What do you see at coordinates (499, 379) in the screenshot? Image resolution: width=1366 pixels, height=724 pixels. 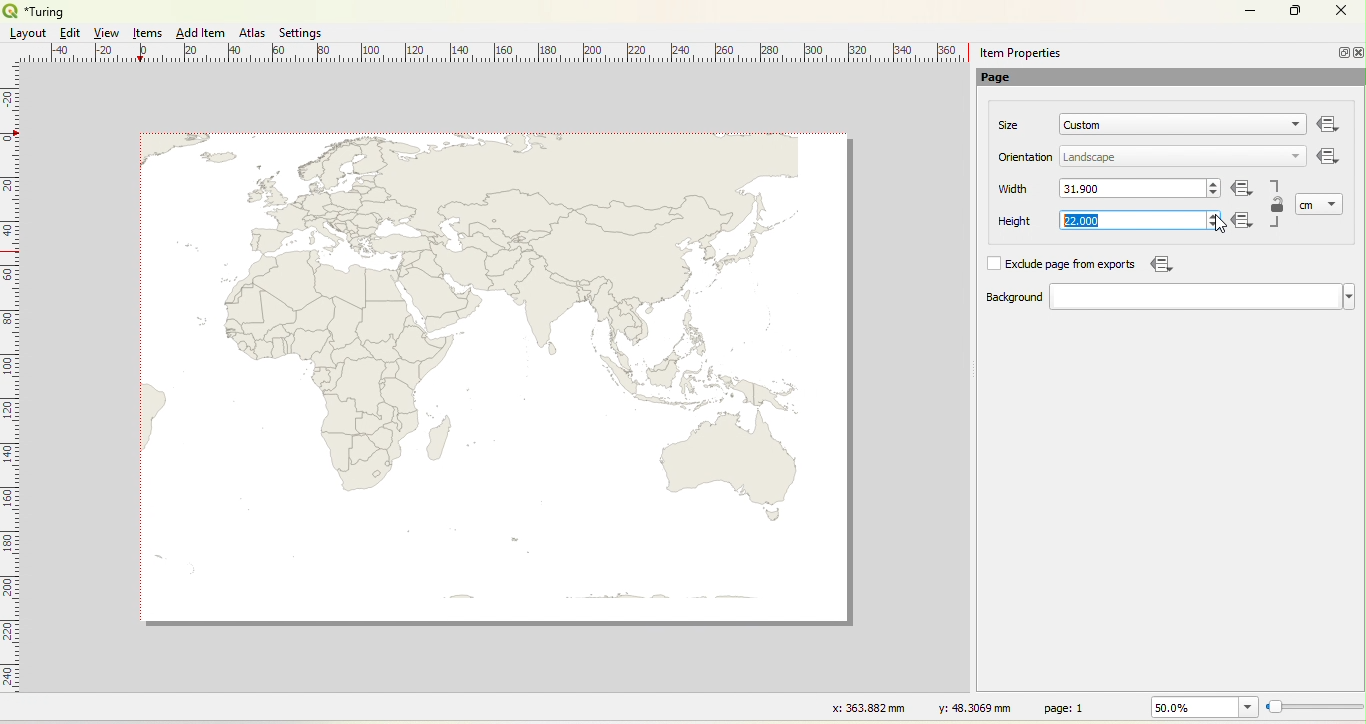 I see `map` at bounding box center [499, 379].